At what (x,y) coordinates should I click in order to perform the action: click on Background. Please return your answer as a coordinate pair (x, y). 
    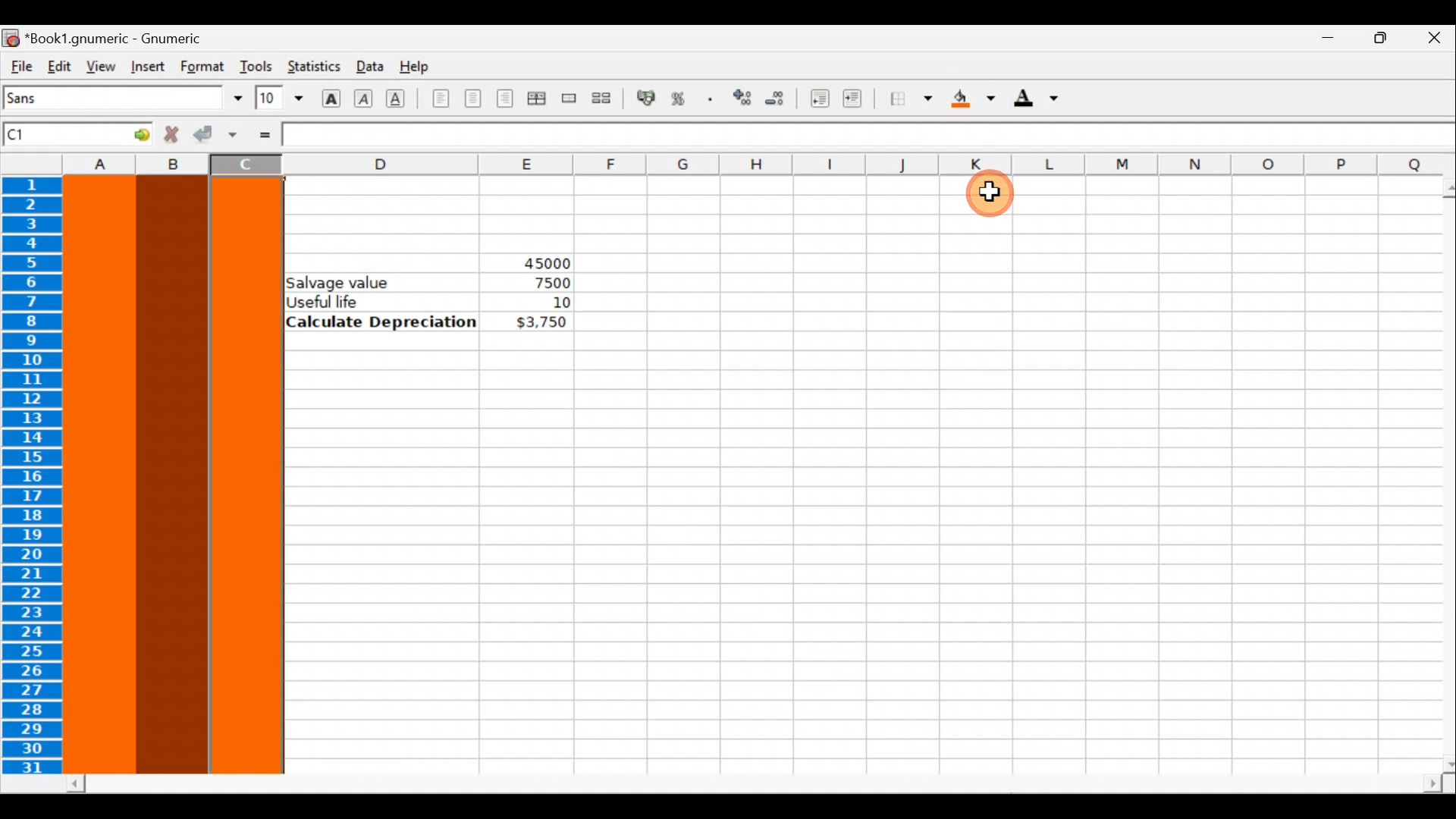
    Looking at the image, I should click on (974, 99).